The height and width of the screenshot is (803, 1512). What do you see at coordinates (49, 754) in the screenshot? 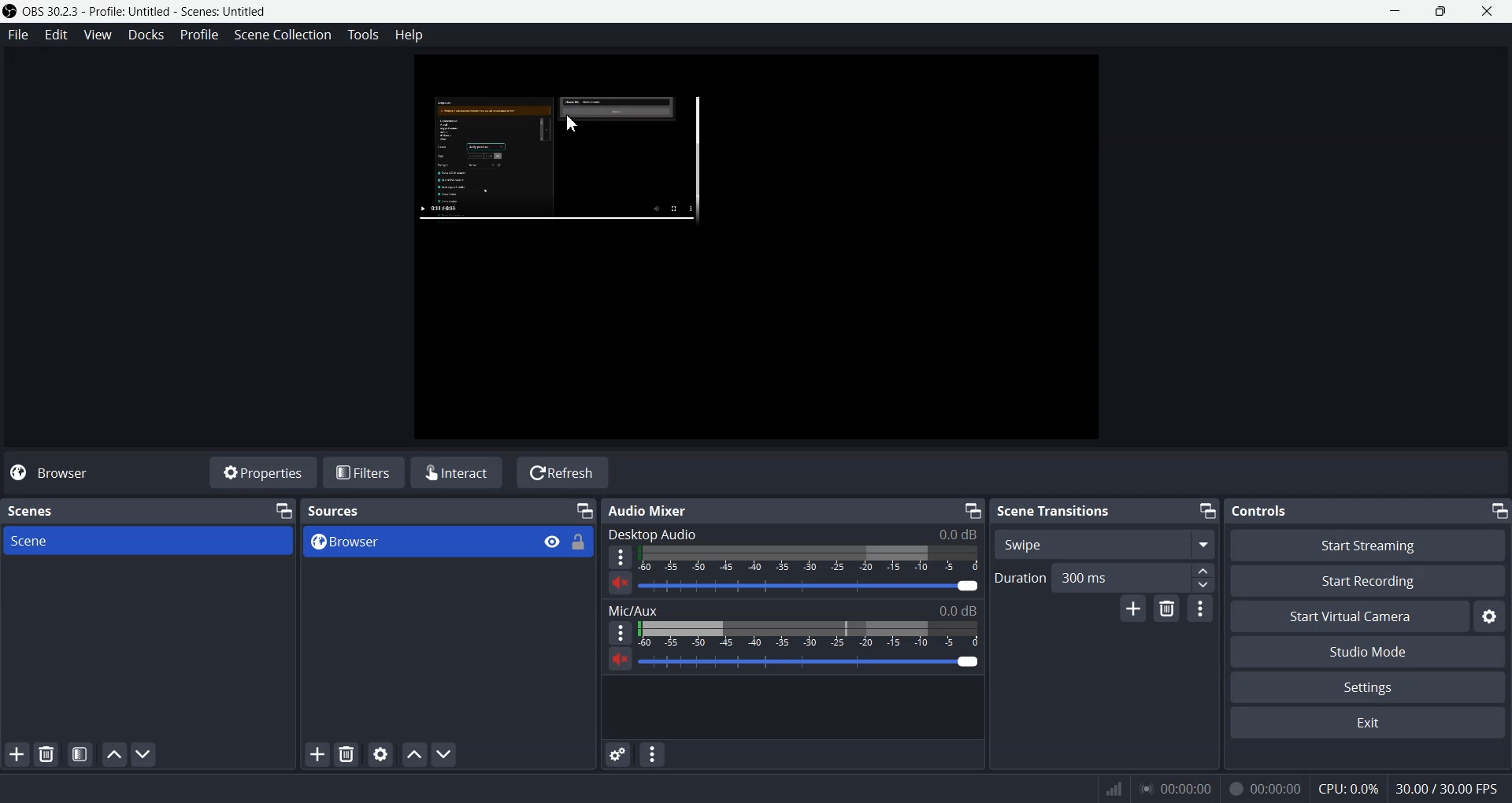
I see `Remove Selected Scene` at bounding box center [49, 754].